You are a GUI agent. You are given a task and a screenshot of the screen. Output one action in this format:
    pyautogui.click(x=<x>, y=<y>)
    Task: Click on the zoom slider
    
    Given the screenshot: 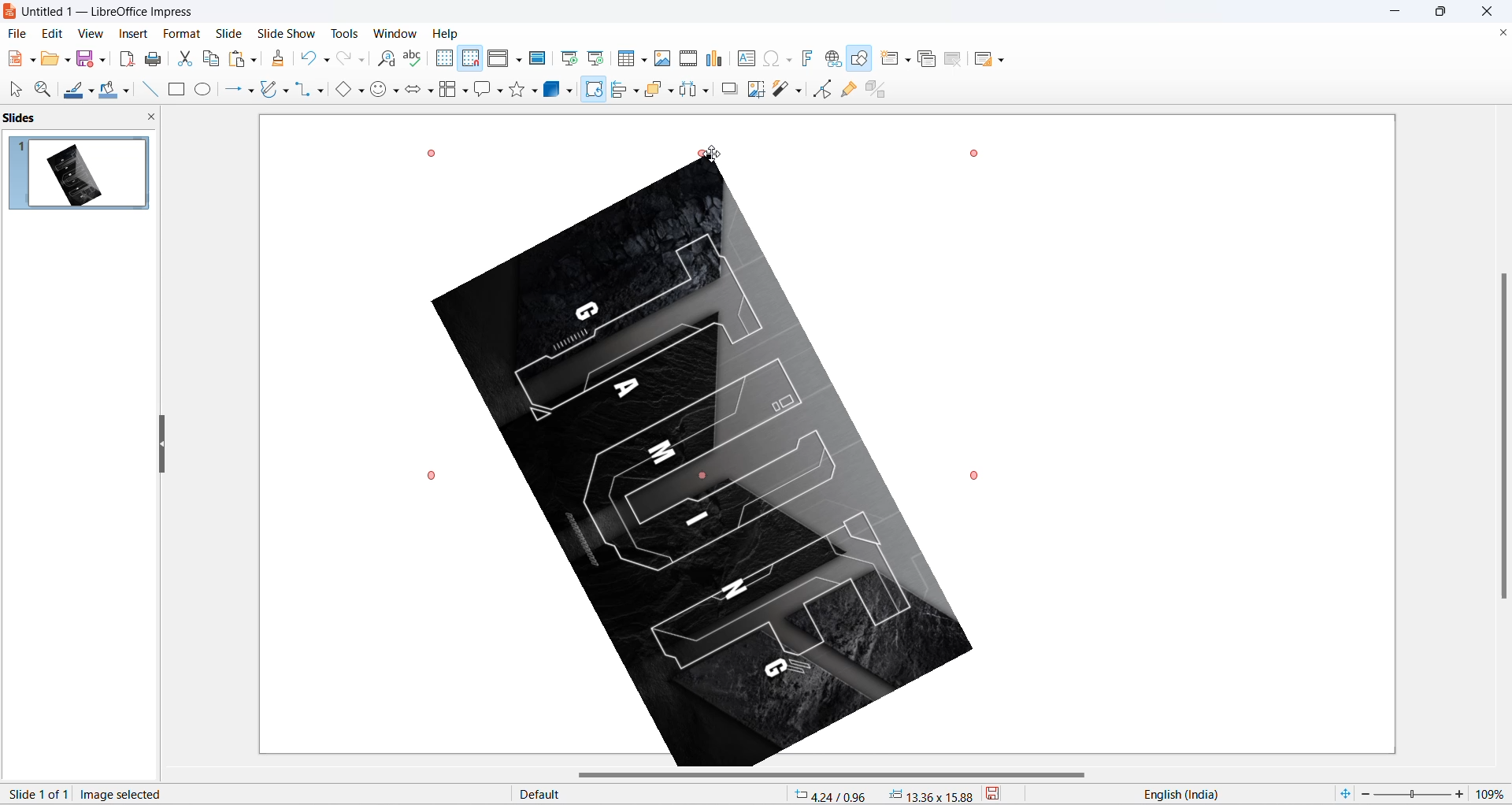 What is the action you would take?
    pyautogui.click(x=1411, y=795)
    